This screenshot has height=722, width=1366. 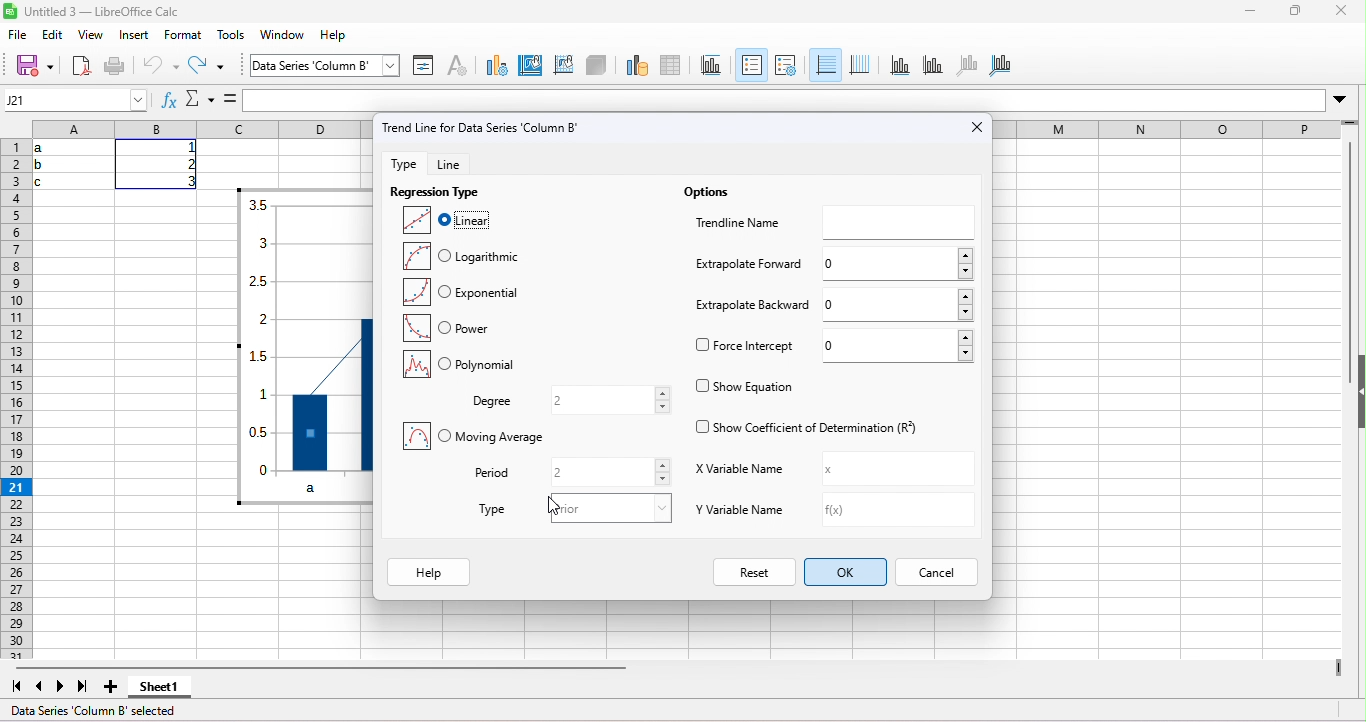 What do you see at coordinates (899, 345) in the screenshot?
I see `0` at bounding box center [899, 345].